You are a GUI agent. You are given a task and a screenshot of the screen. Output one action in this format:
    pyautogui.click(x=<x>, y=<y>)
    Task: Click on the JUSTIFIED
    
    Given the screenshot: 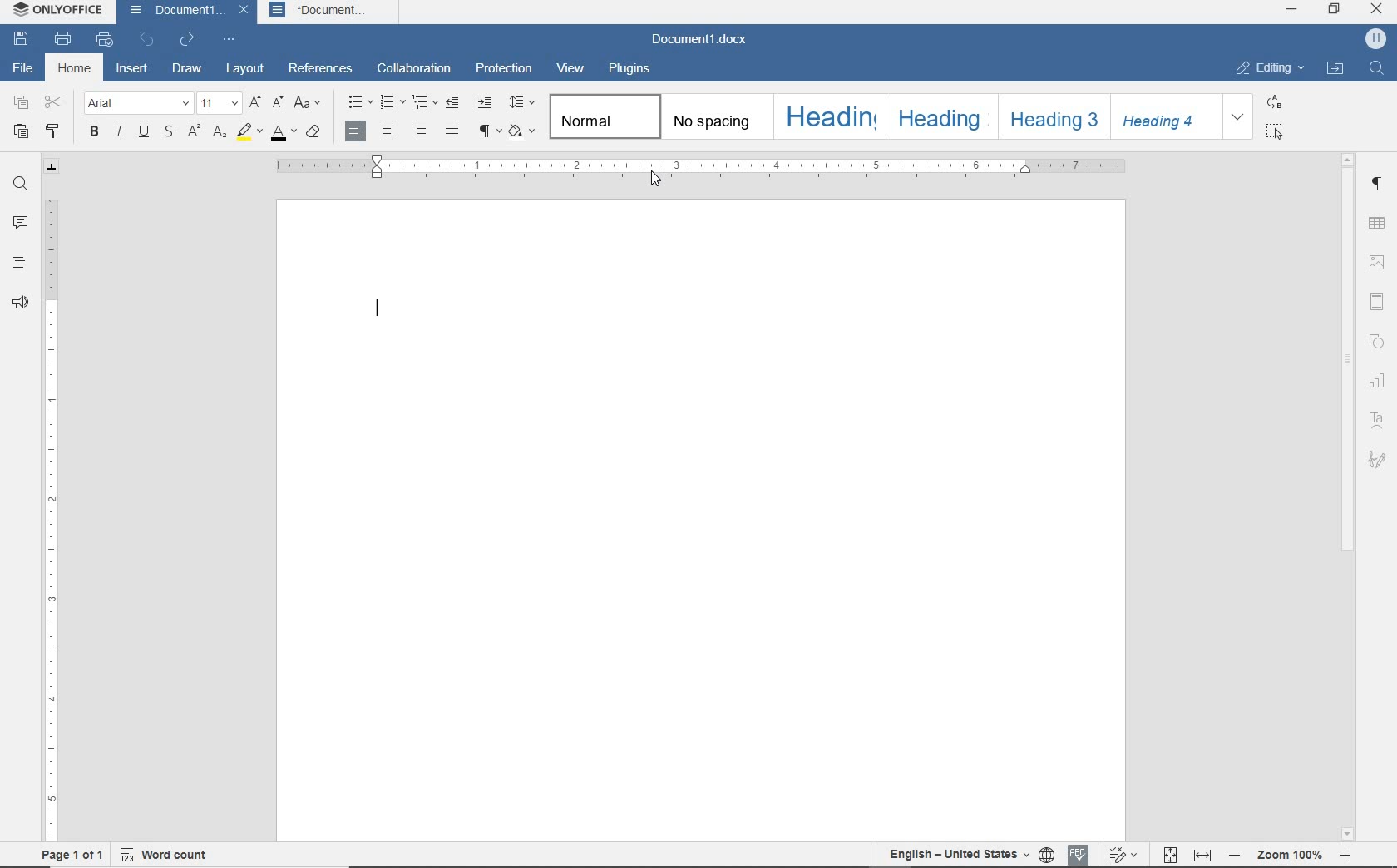 What is the action you would take?
    pyautogui.click(x=453, y=133)
    